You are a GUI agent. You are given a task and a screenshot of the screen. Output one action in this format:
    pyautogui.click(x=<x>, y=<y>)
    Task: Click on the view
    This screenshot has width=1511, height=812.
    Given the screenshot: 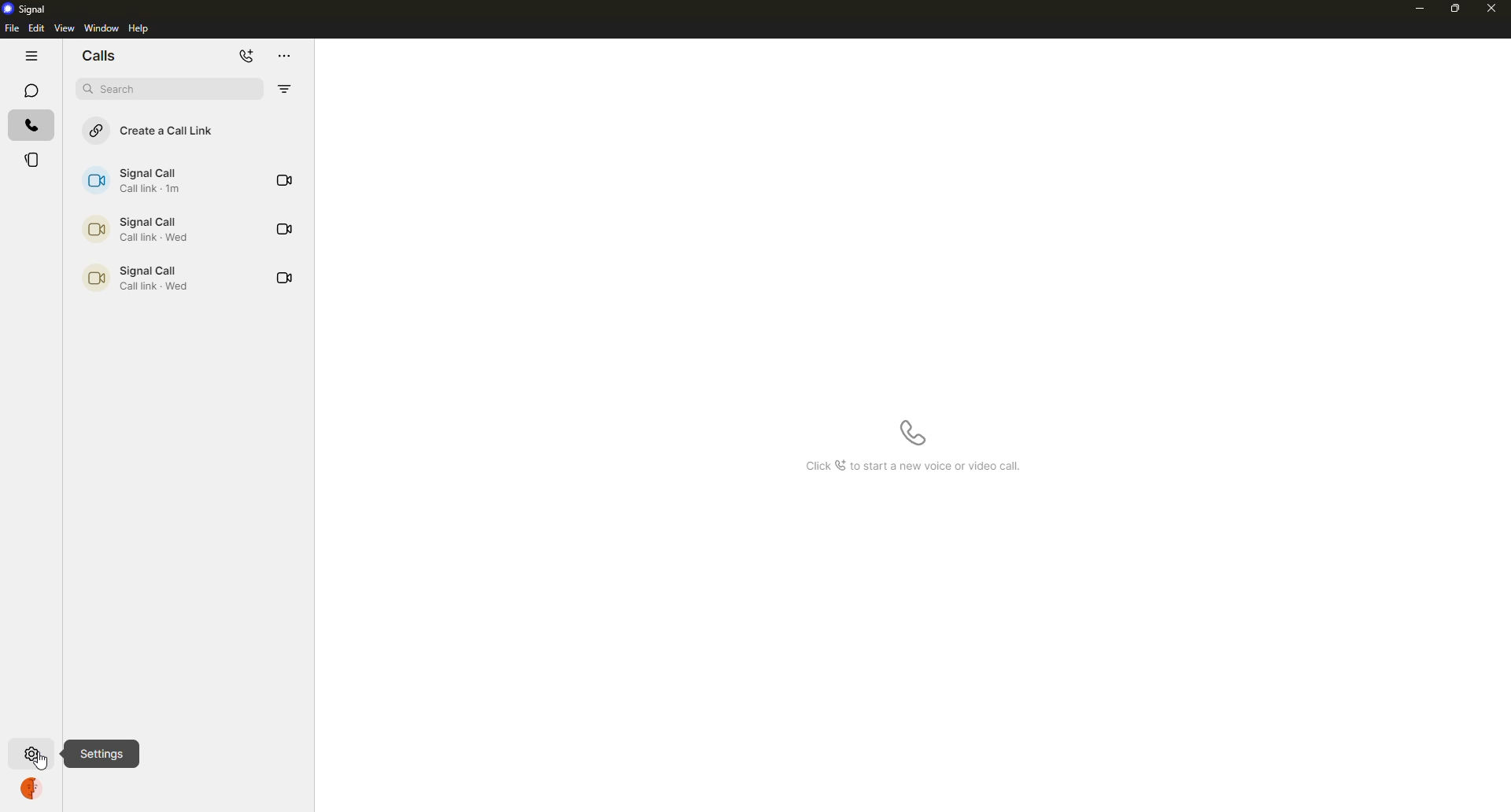 What is the action you would take?
    pyautogui.click(x=64, y=28)
    